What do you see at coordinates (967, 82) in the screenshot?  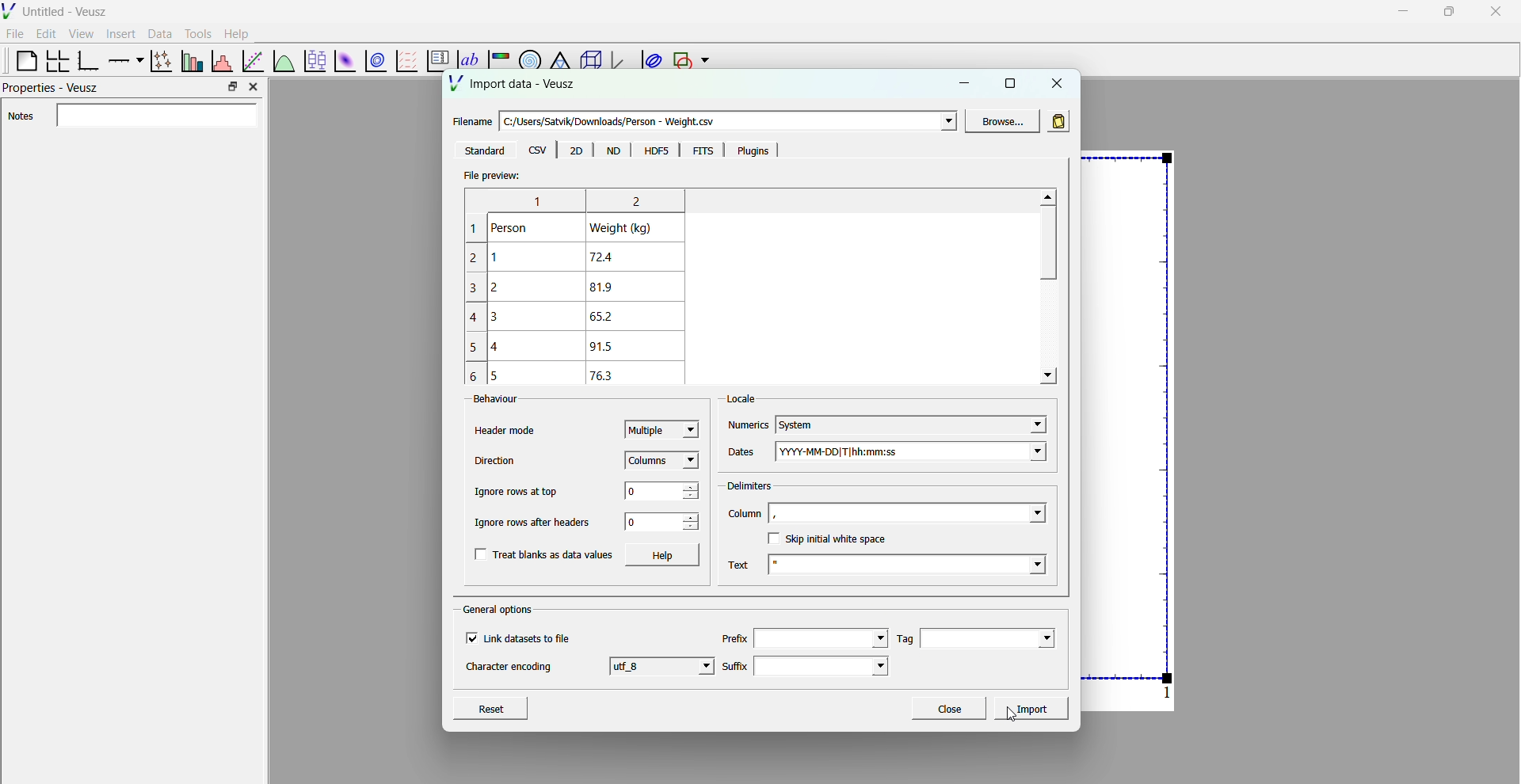 I see `minimize` at bounding box center [967, 82].